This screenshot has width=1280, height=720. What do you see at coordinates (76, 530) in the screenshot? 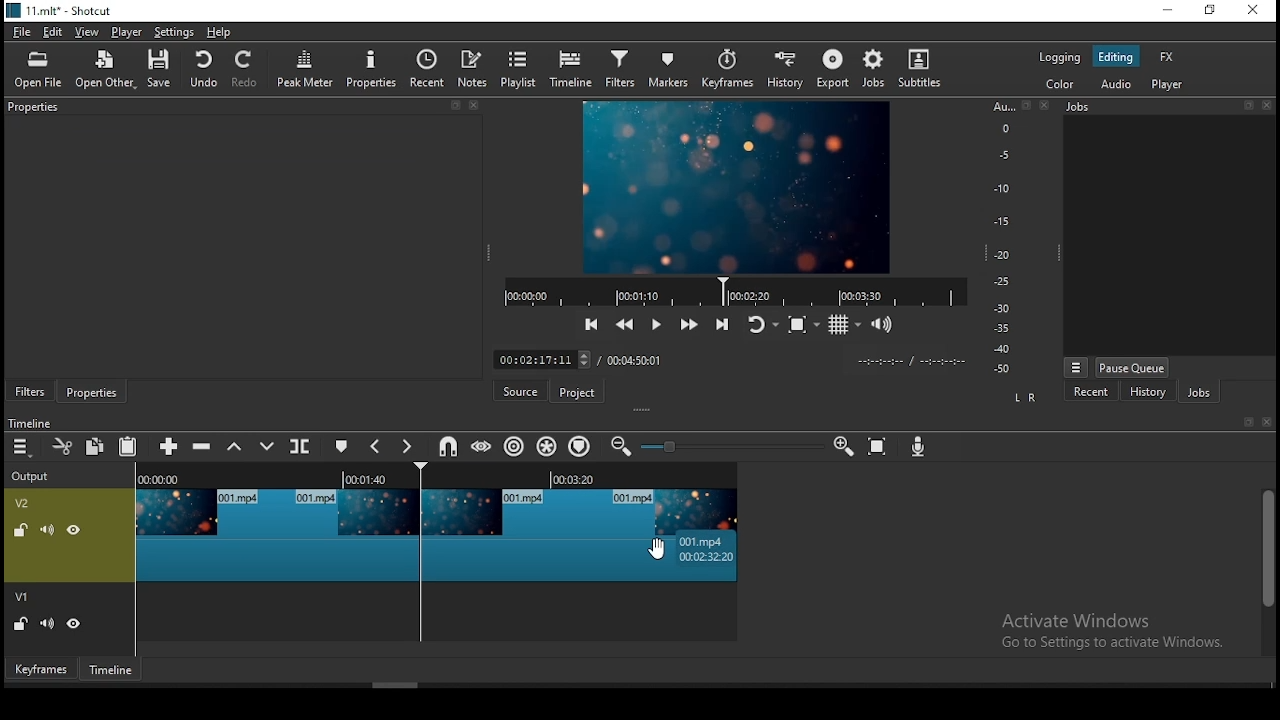
I see `(UN)HIDE` at bounding box center [76, 530].